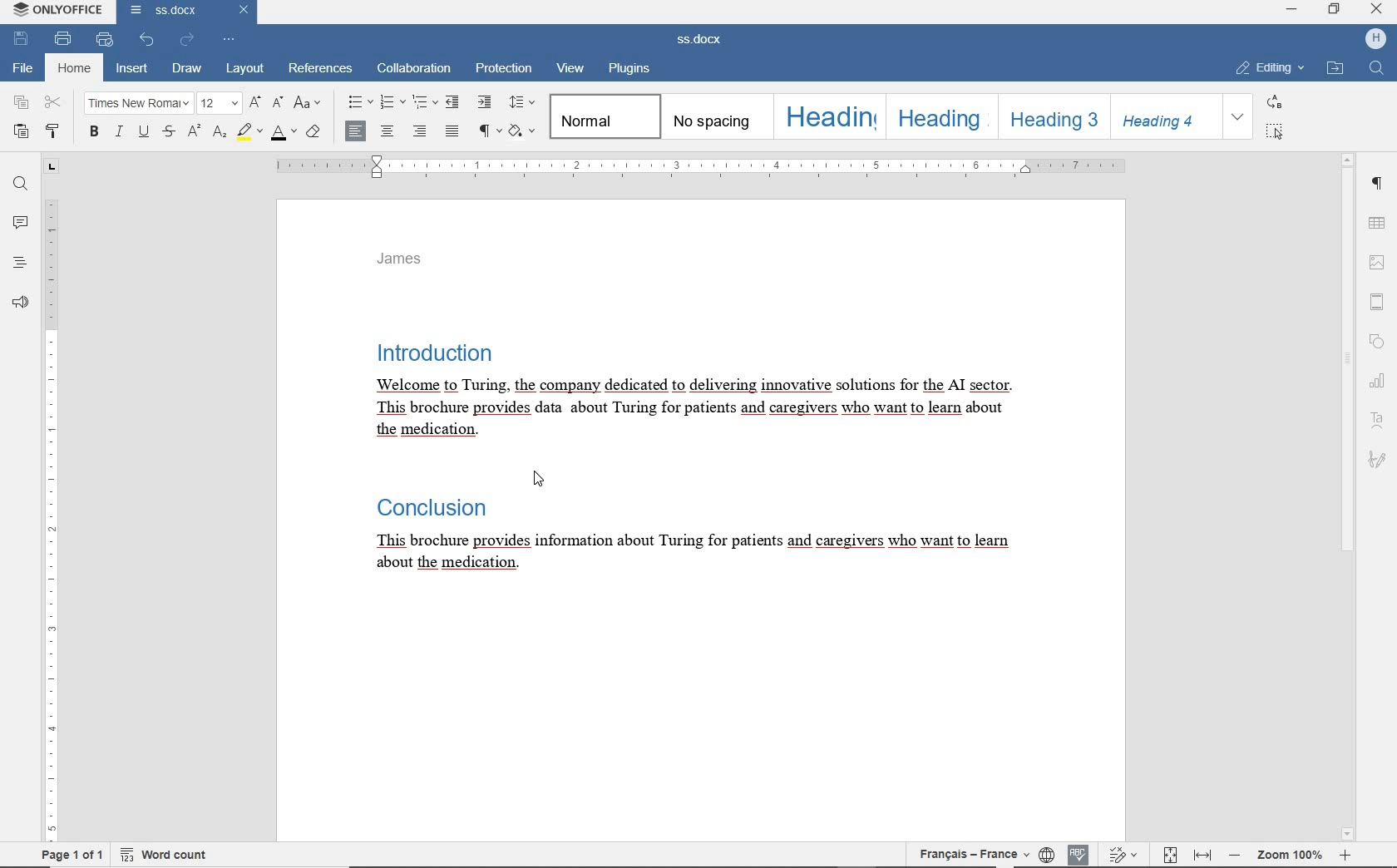 The width and height of the screenshot is (1397, 868). What do you see at coordinates (166, 11) in the screenshot?
I see `DOCUMENT NAME` at bounding box center [166, 11].